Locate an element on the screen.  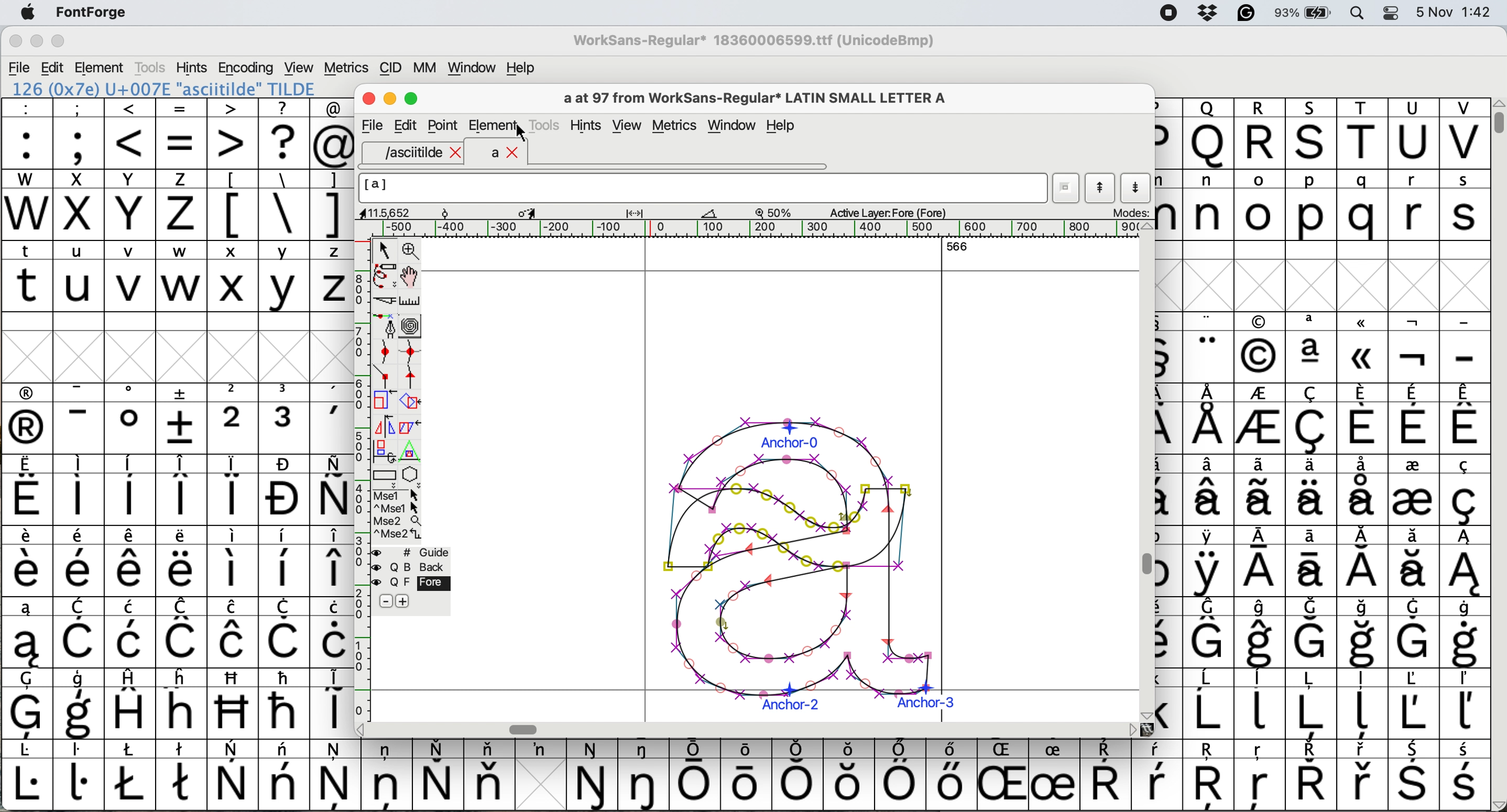
symbol is located at coordinates (132, 562).